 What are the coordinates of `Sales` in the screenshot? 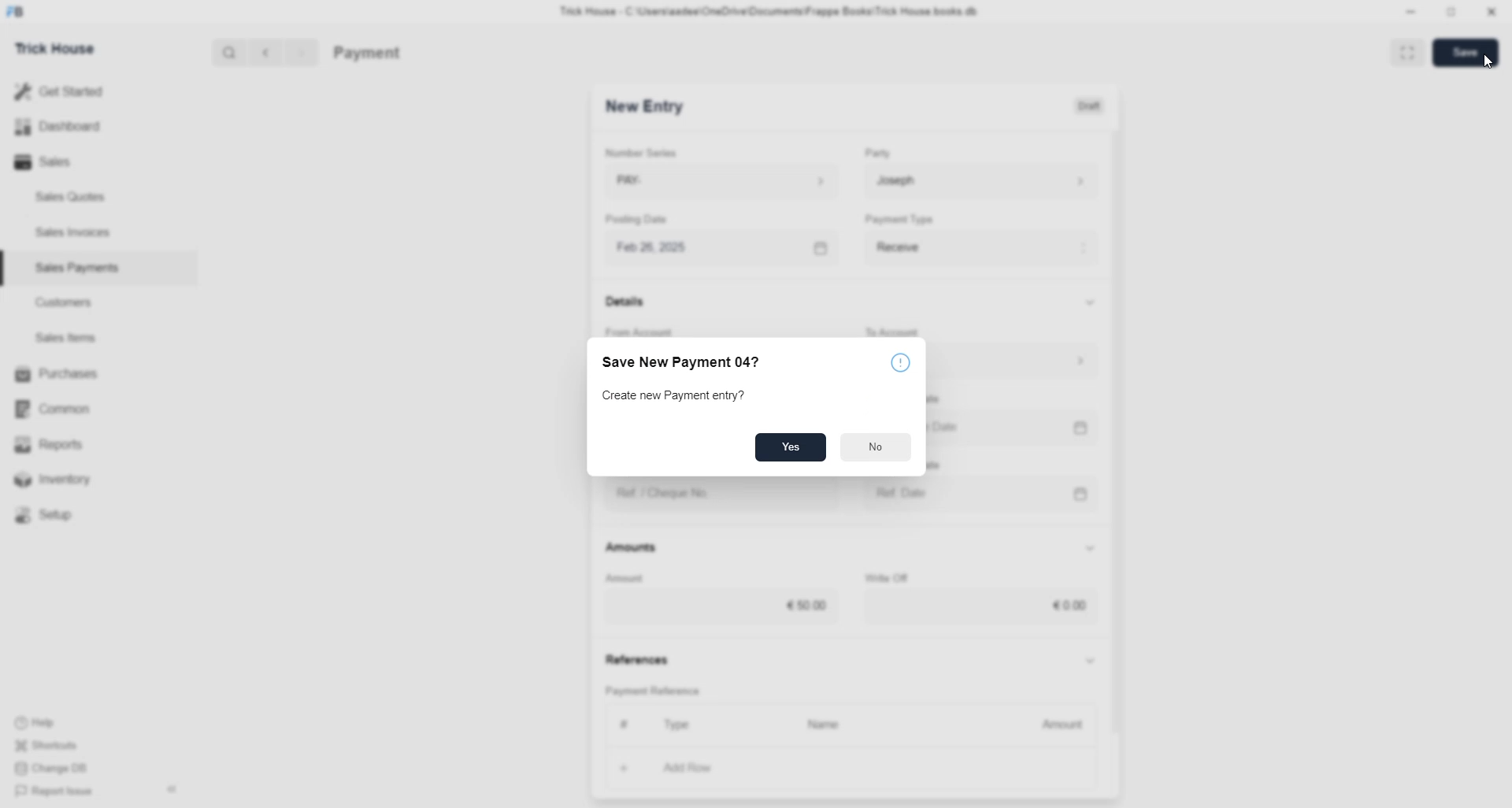 It's located at (47, 162).